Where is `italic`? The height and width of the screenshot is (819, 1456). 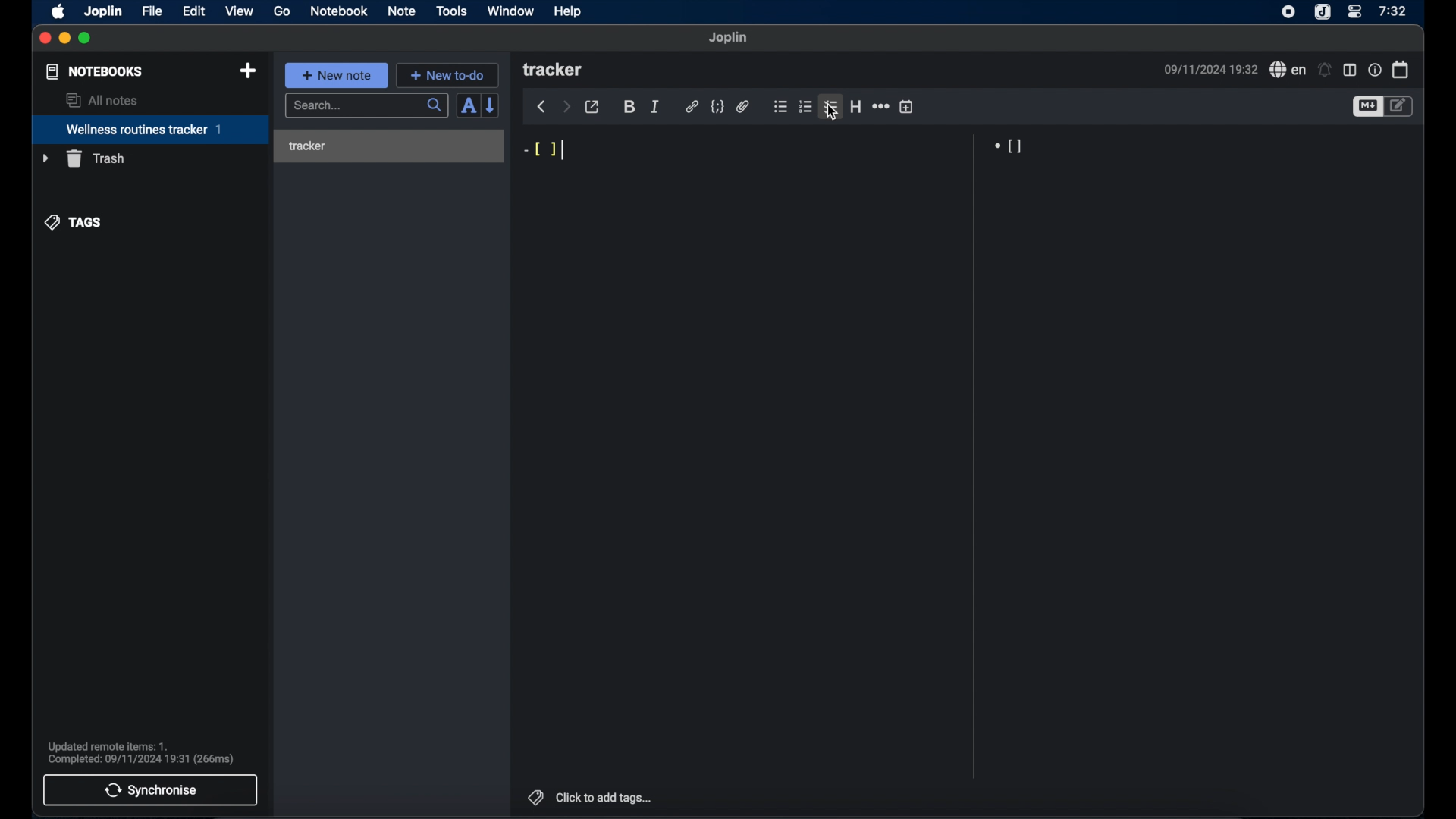
italic is located at coordinates (655, 107).